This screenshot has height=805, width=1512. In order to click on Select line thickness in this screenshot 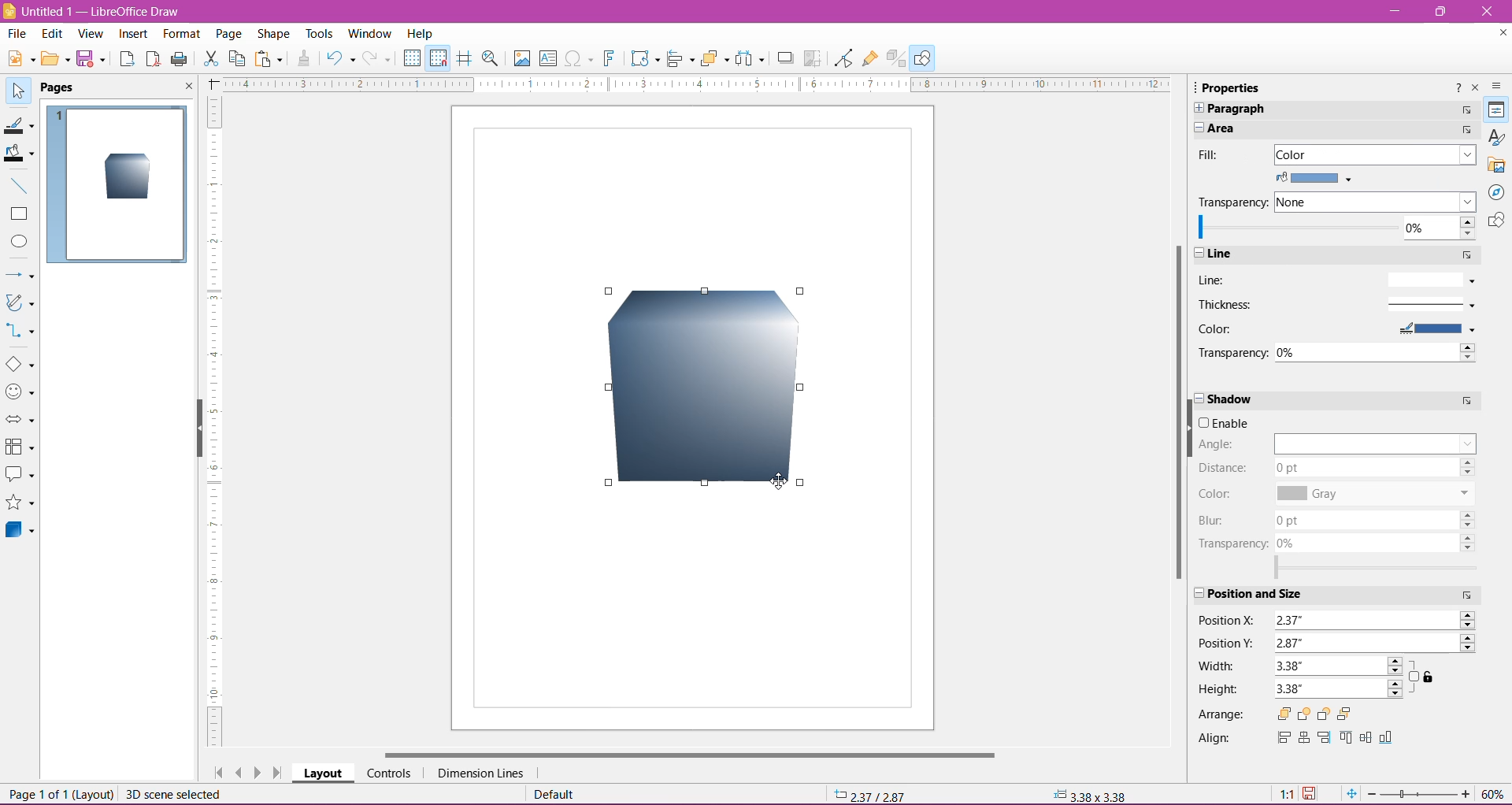, I will do `click(1429, 304)`.